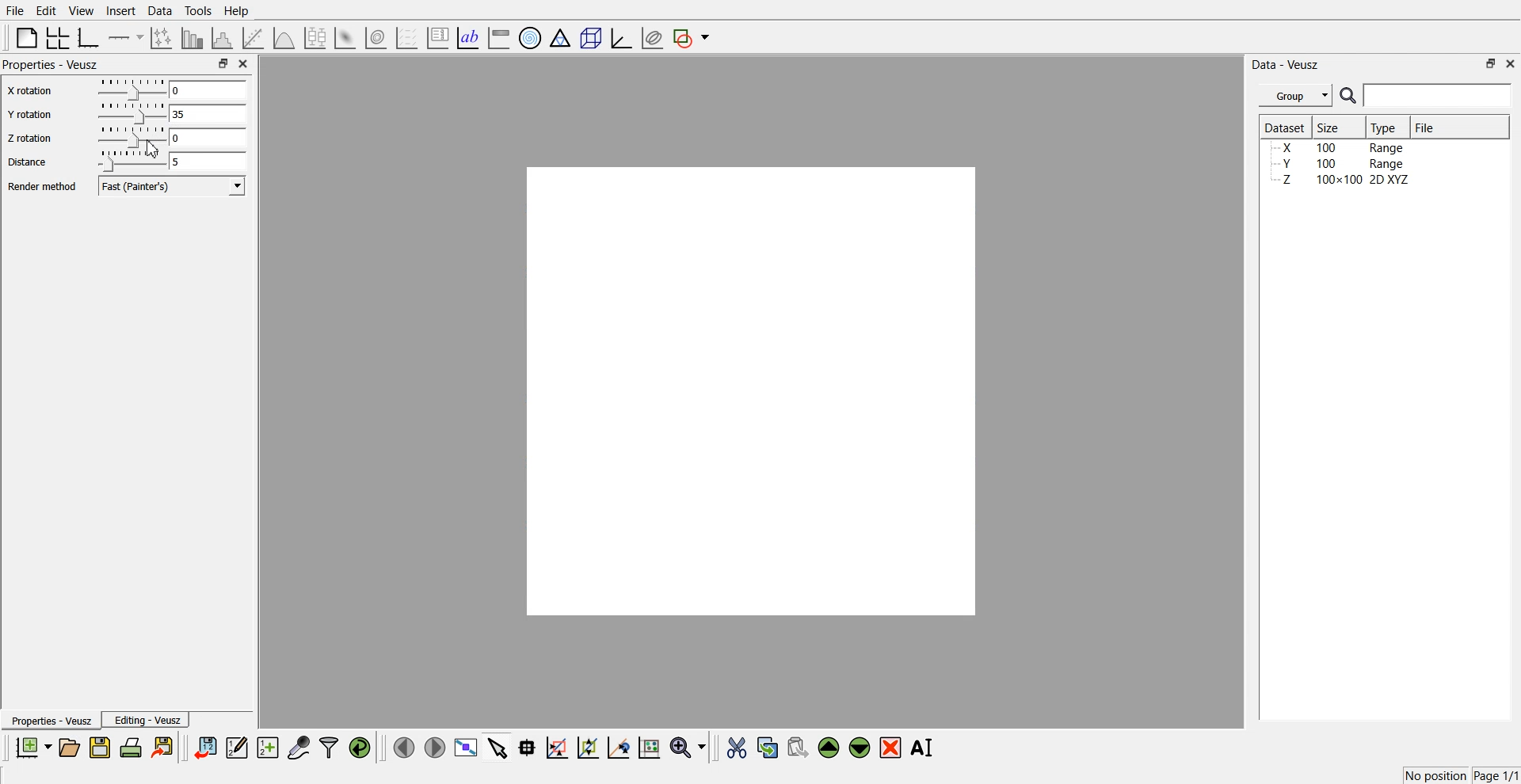  I want to click on Drag Handle, so click(130, 161).